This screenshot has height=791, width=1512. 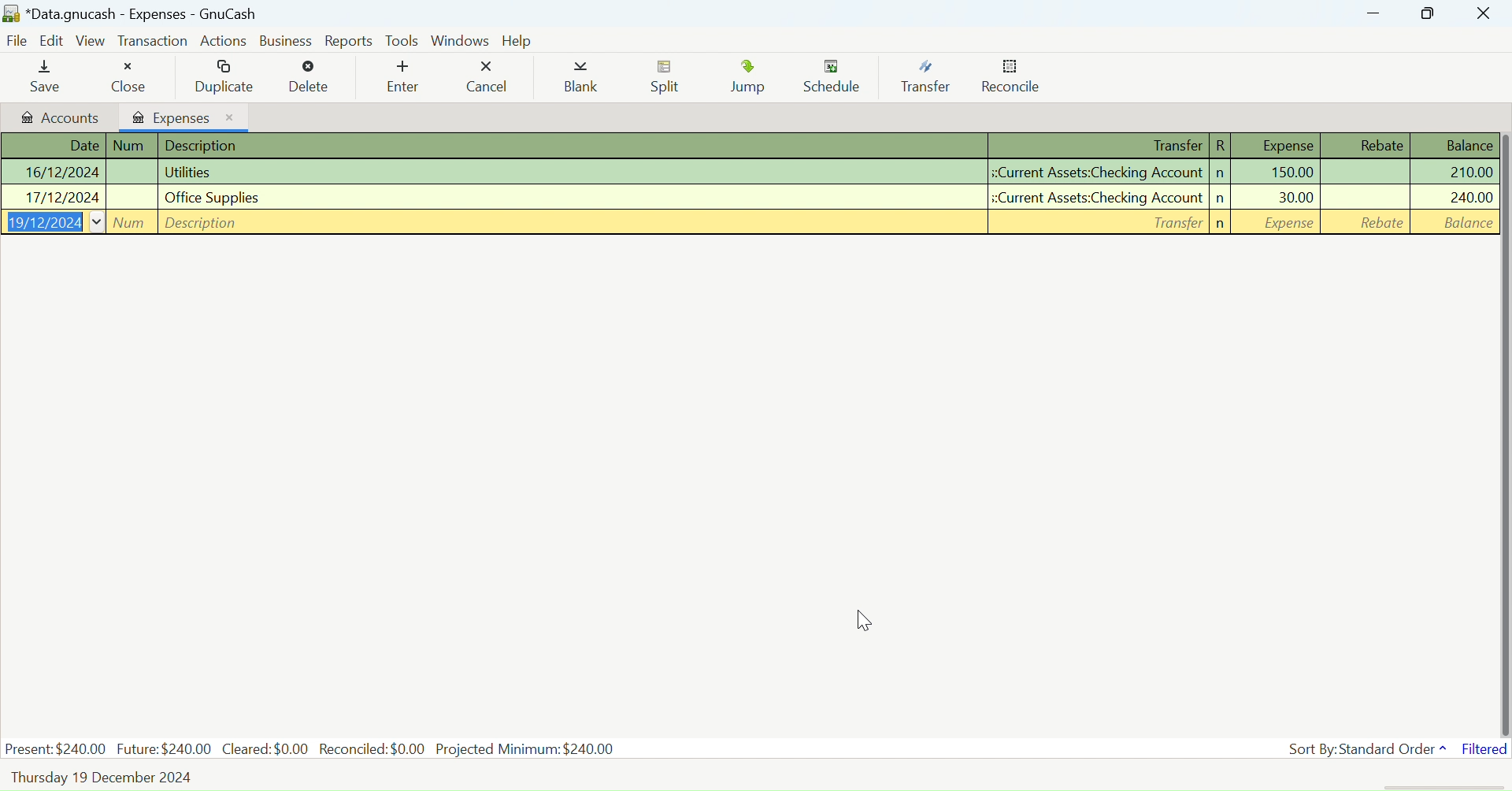 What do you see at coordinates (1503, 433) in the screenshot?
I see `vertical scroll bar` at bounding box center [1503, 433].